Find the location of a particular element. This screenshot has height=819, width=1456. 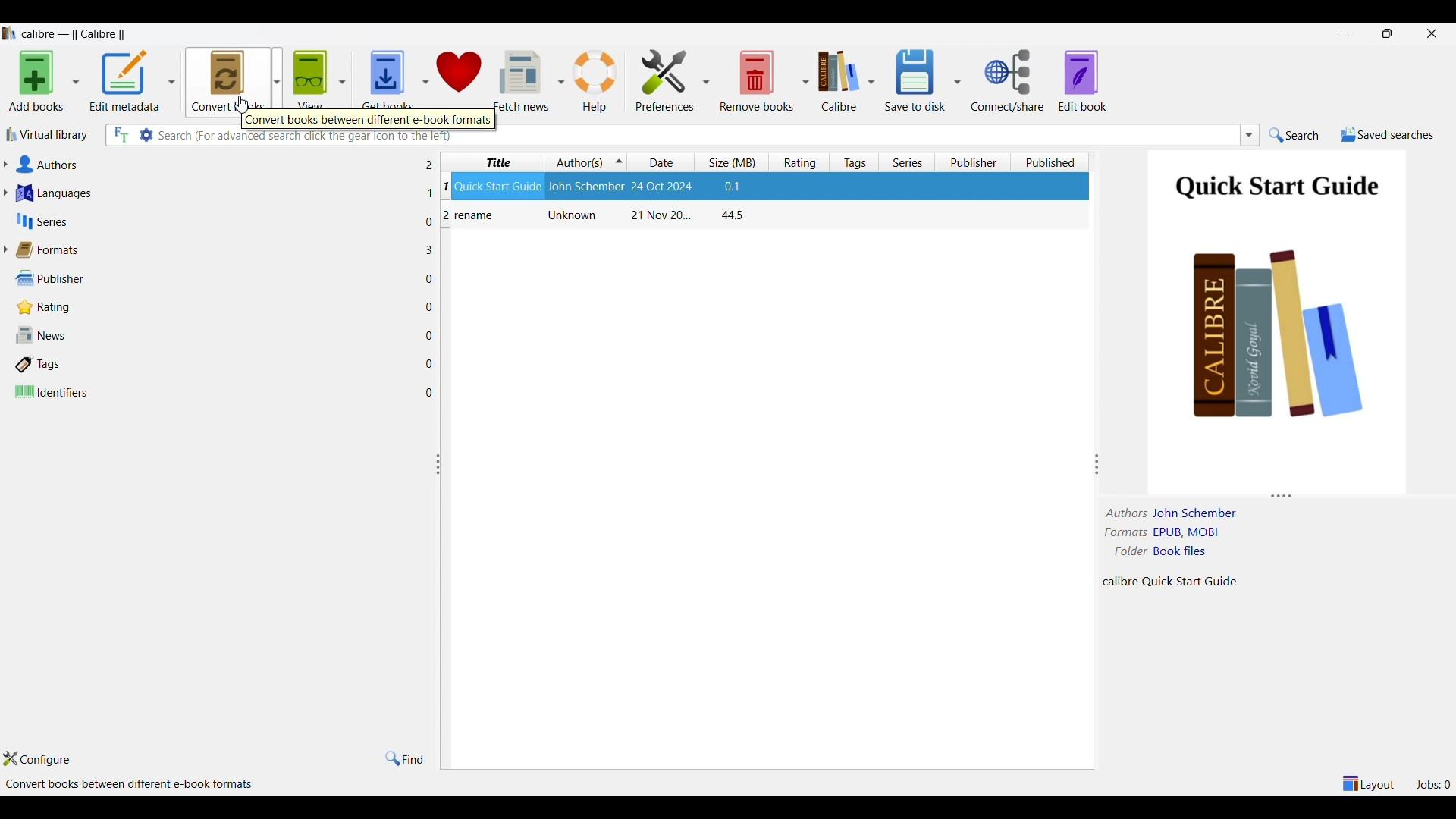

Virtual library is located at coordinates (47, 135).